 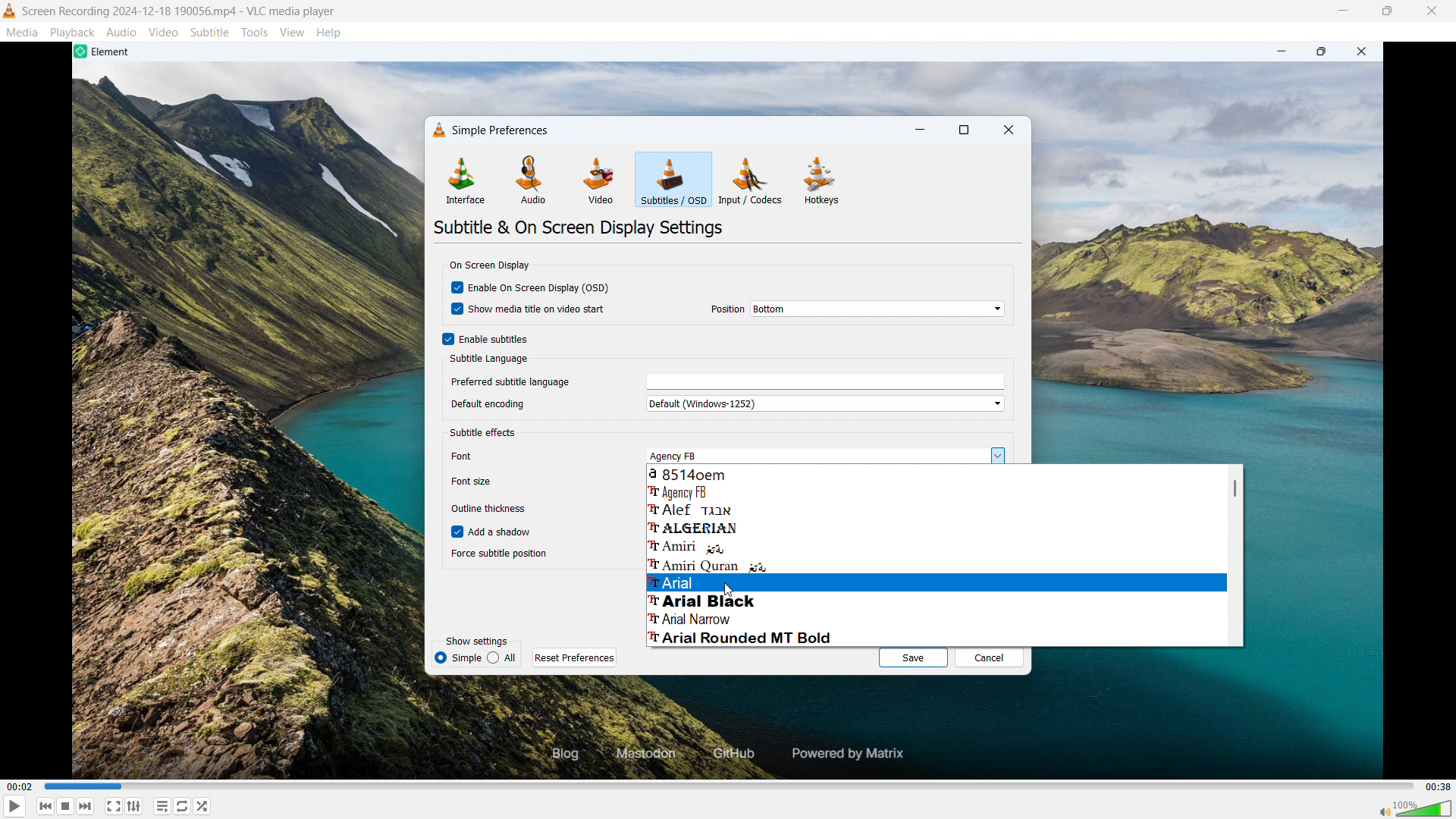 What do you see at coordinates (531, 287) in the screenshot?
I see `enable on screen display` at bounding box center [531, 287].